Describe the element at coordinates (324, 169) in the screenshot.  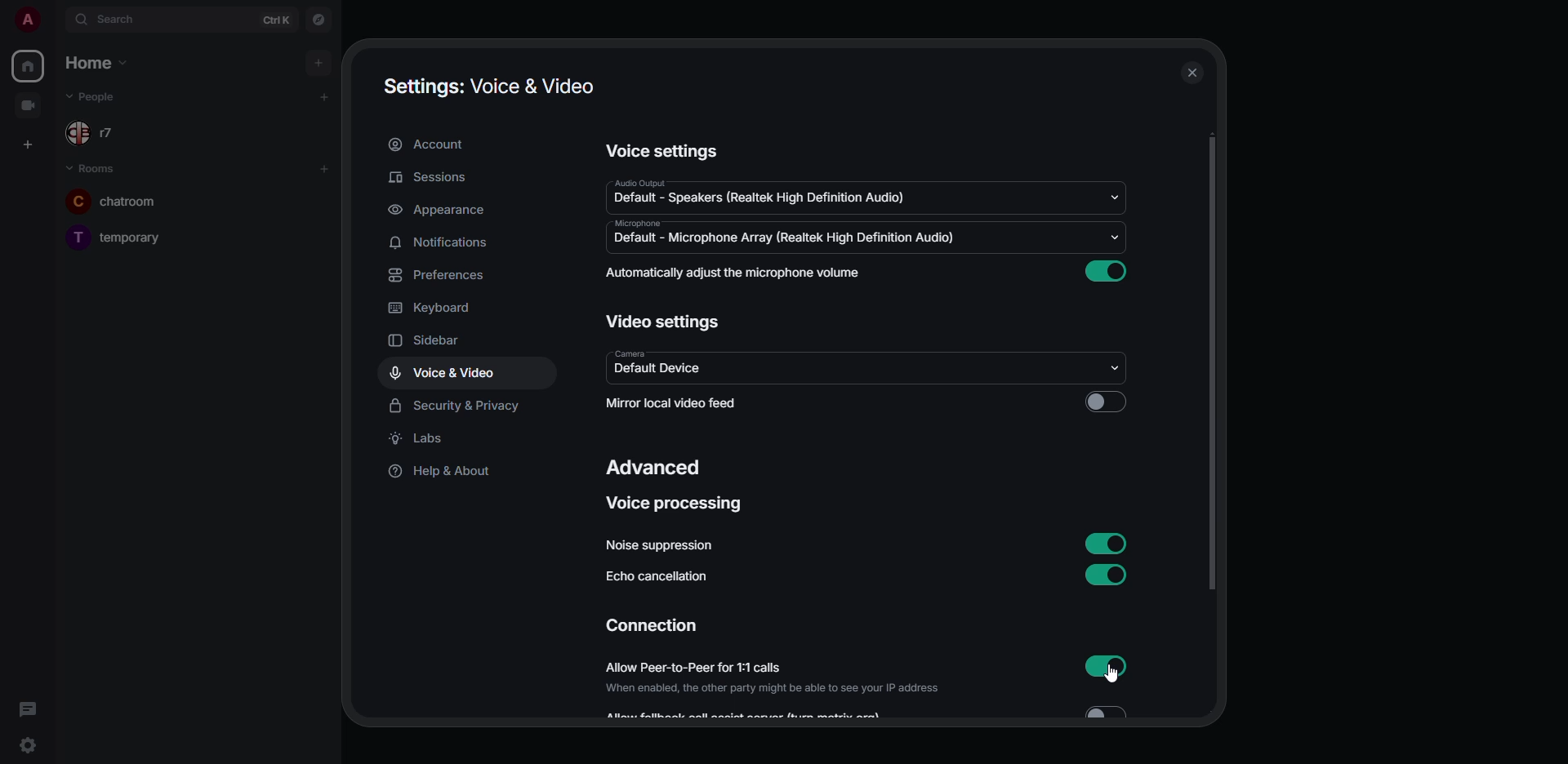
I see `add` at that location.